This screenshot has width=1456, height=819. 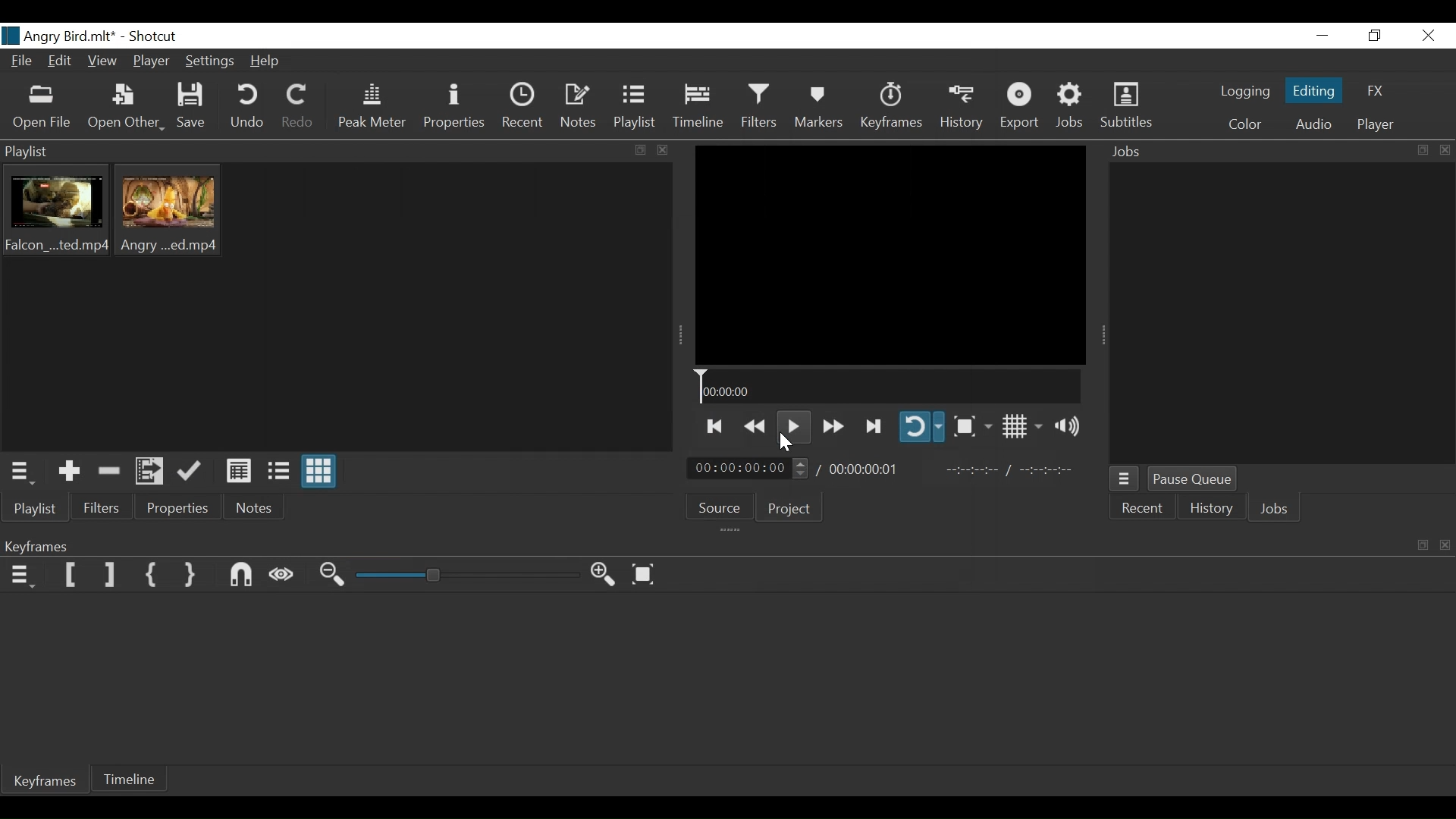 I want to click on Pause Queue, so click(x=1191, y=479).